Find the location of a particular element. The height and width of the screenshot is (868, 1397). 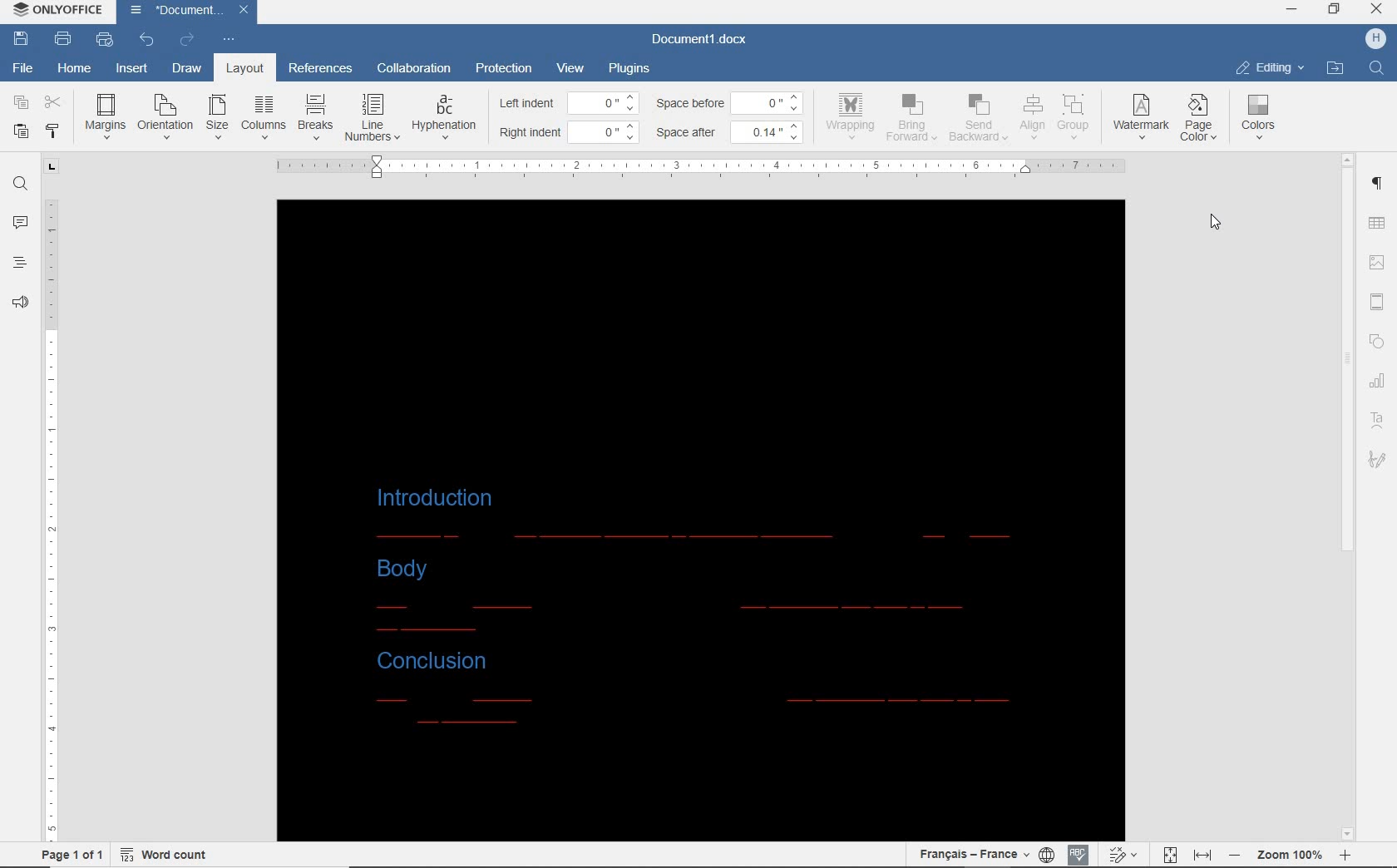

page color added to the document background is located at coordinates (706, 515).